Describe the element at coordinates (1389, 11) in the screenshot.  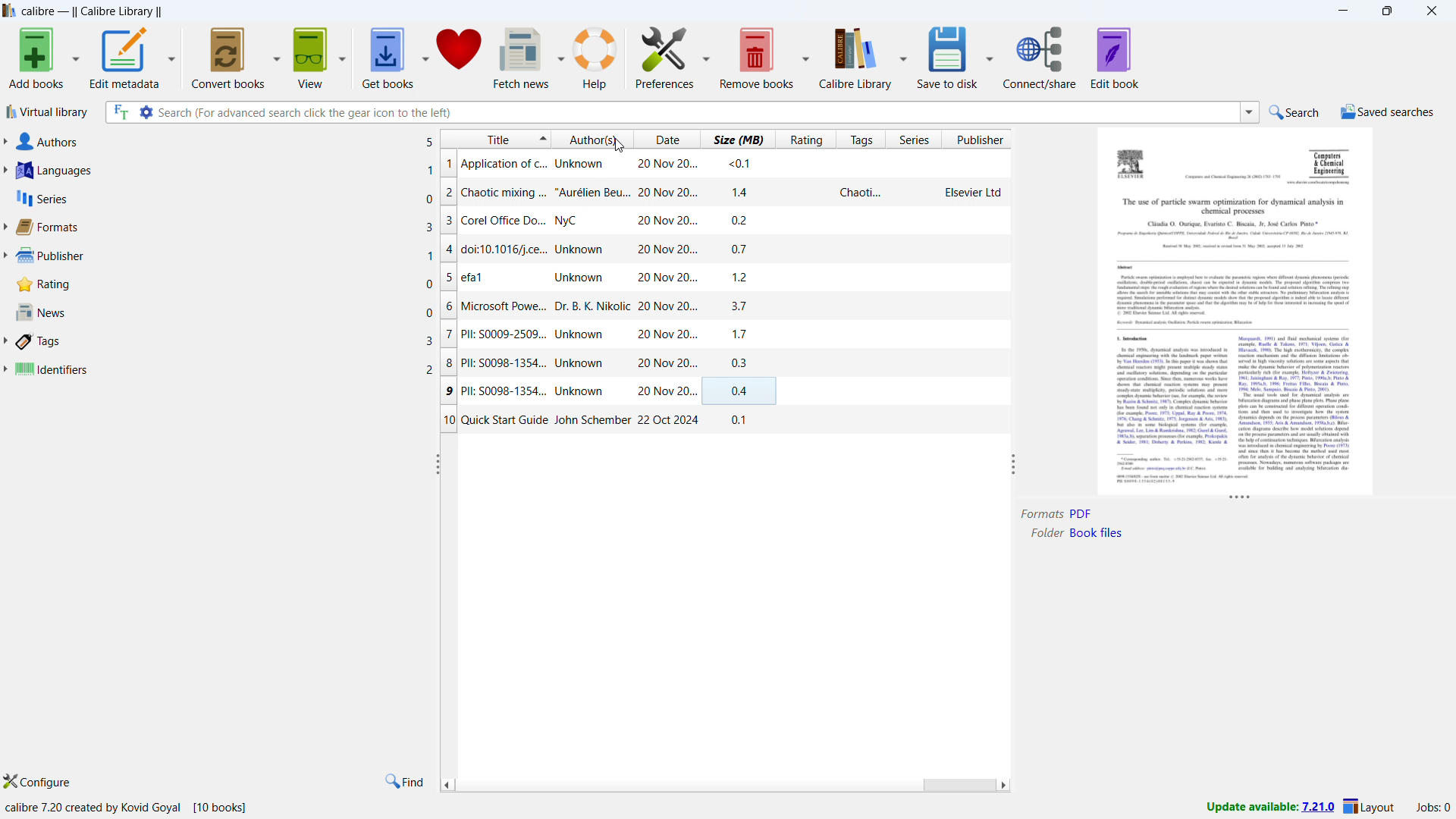
I see `maximize` at that location.